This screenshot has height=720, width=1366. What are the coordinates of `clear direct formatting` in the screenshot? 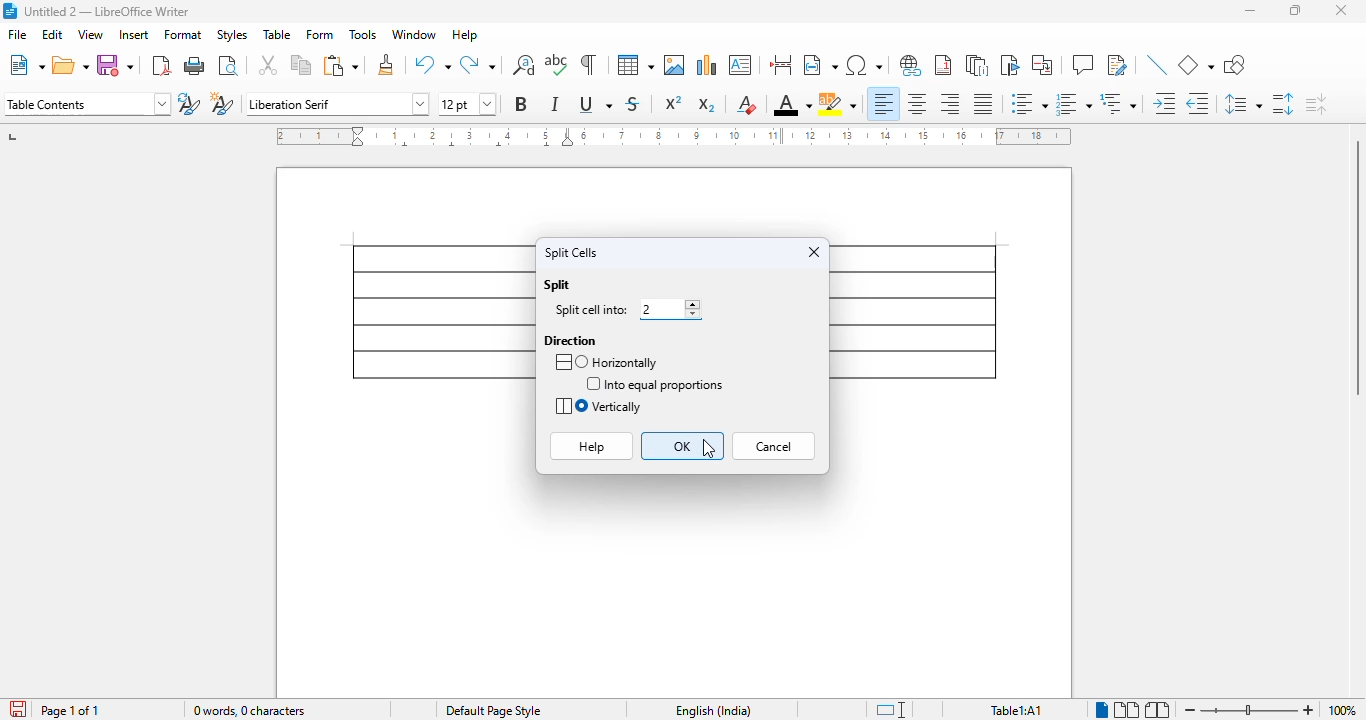 It's located at (747, 104).